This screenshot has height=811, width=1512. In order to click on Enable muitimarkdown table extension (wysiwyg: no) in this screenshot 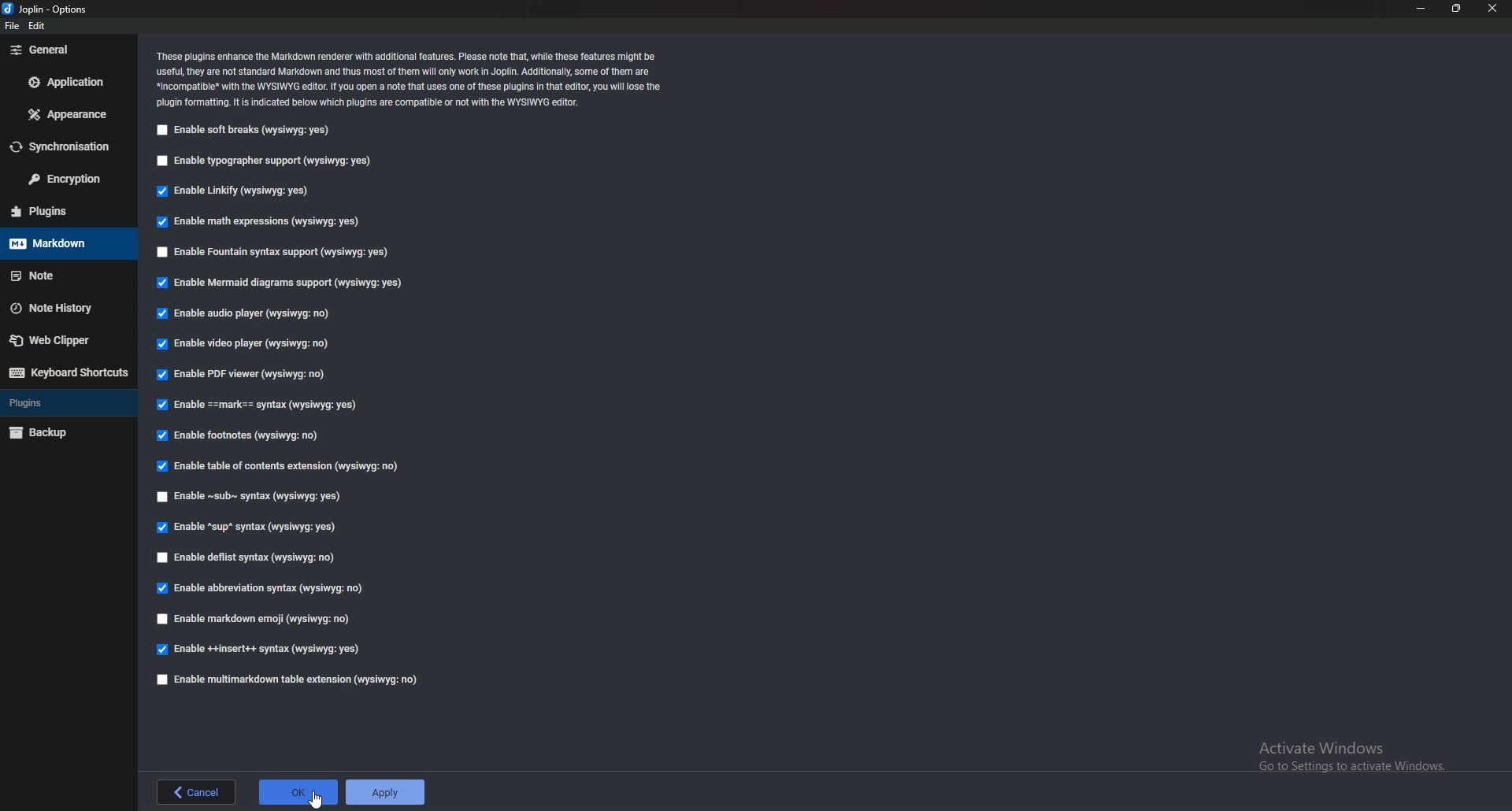, I will do `click(287, 679)`.